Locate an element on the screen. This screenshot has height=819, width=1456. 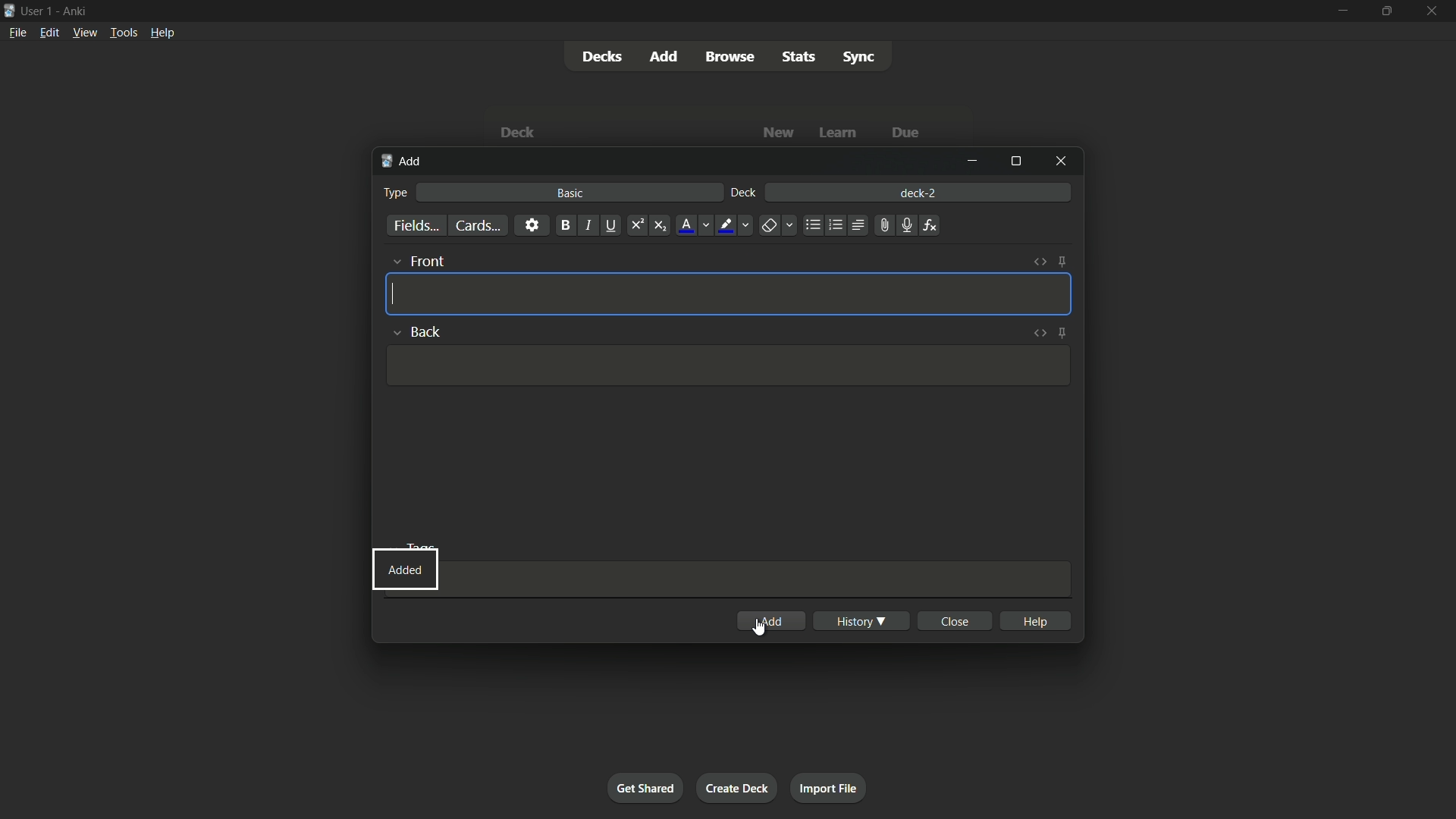
equations is located at coordinates (932, 226).